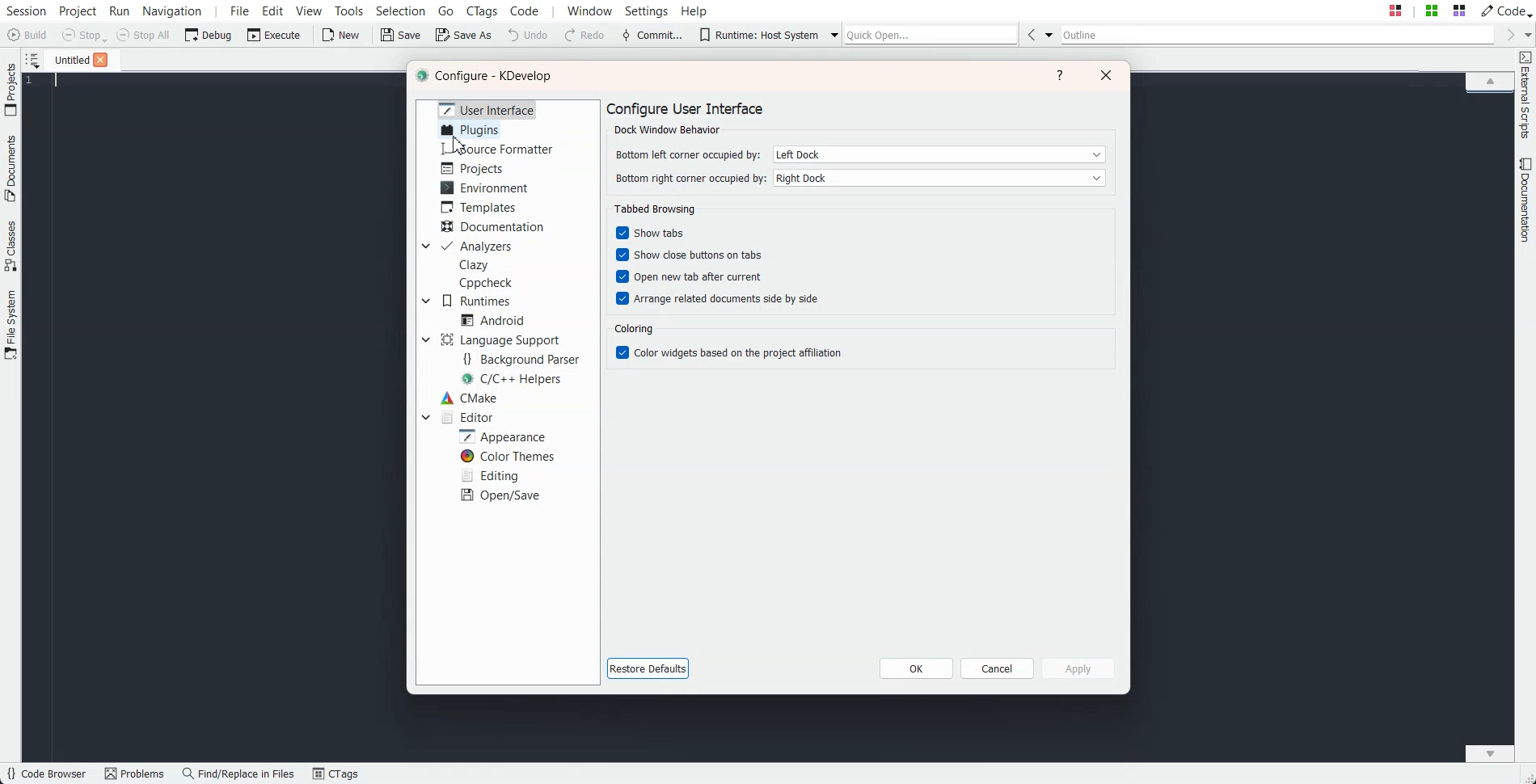  What do you see at coordinates (474, 168) in the screenshot?
I see `Projects` at bounding box center [474, 168].